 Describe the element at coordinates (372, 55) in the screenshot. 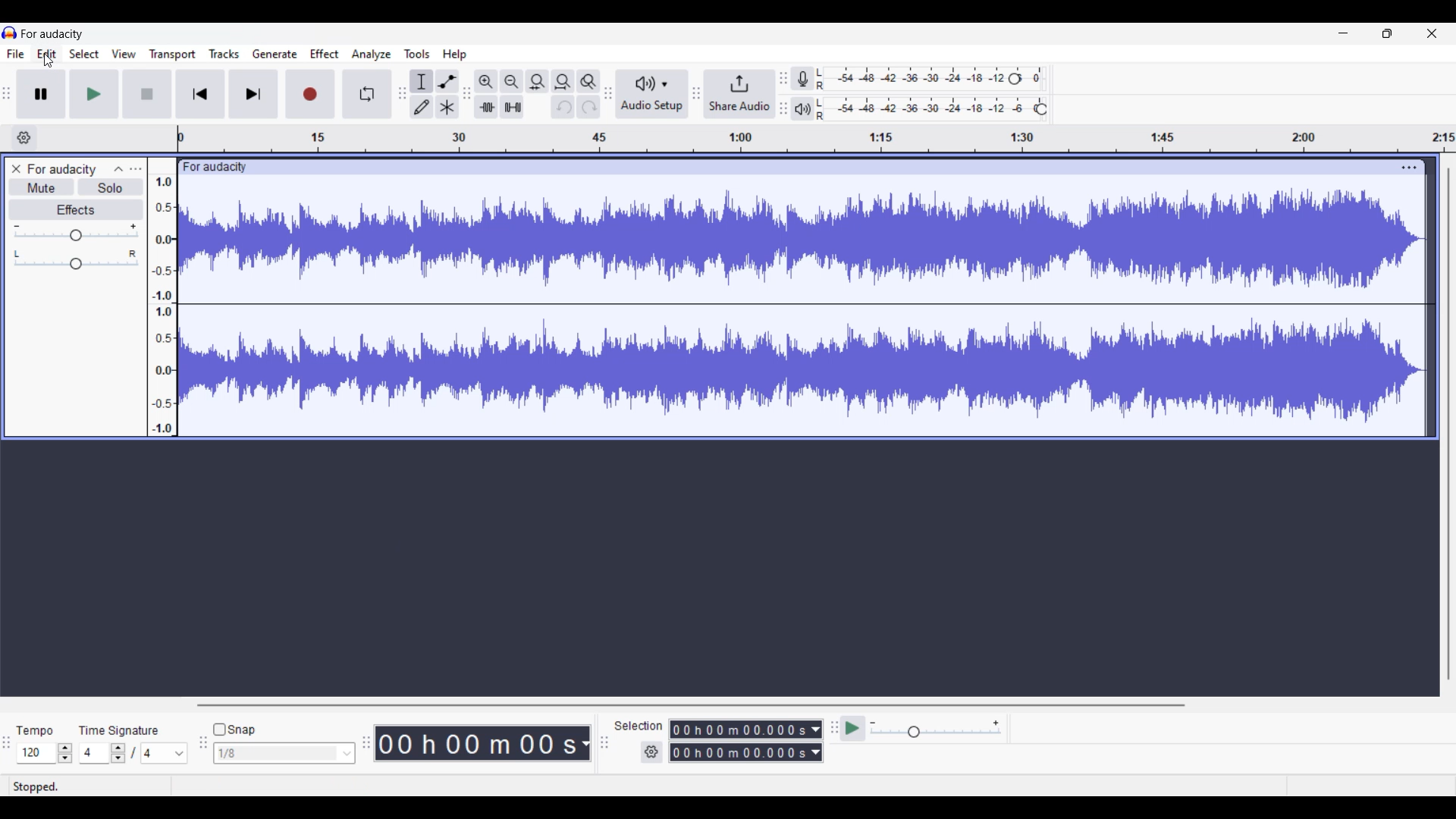

I see `Analyze menu` at that location.